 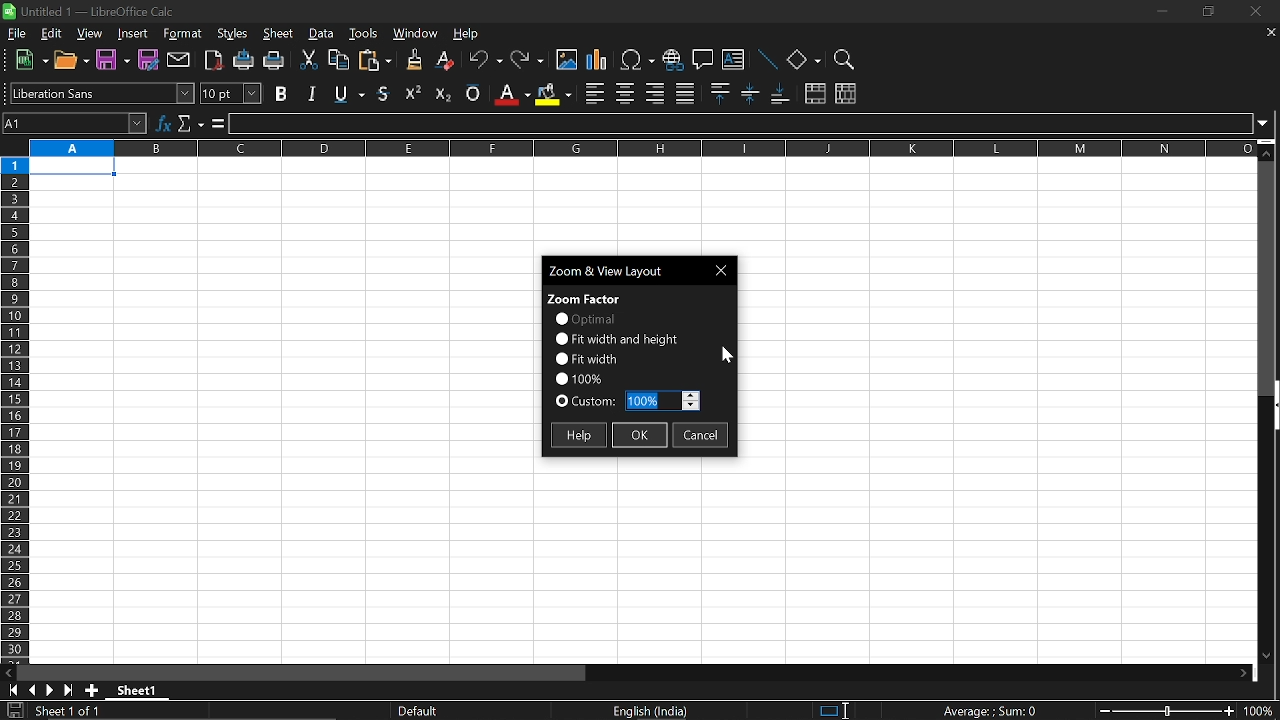 I want to click on italic, so click(x=312, y=93).